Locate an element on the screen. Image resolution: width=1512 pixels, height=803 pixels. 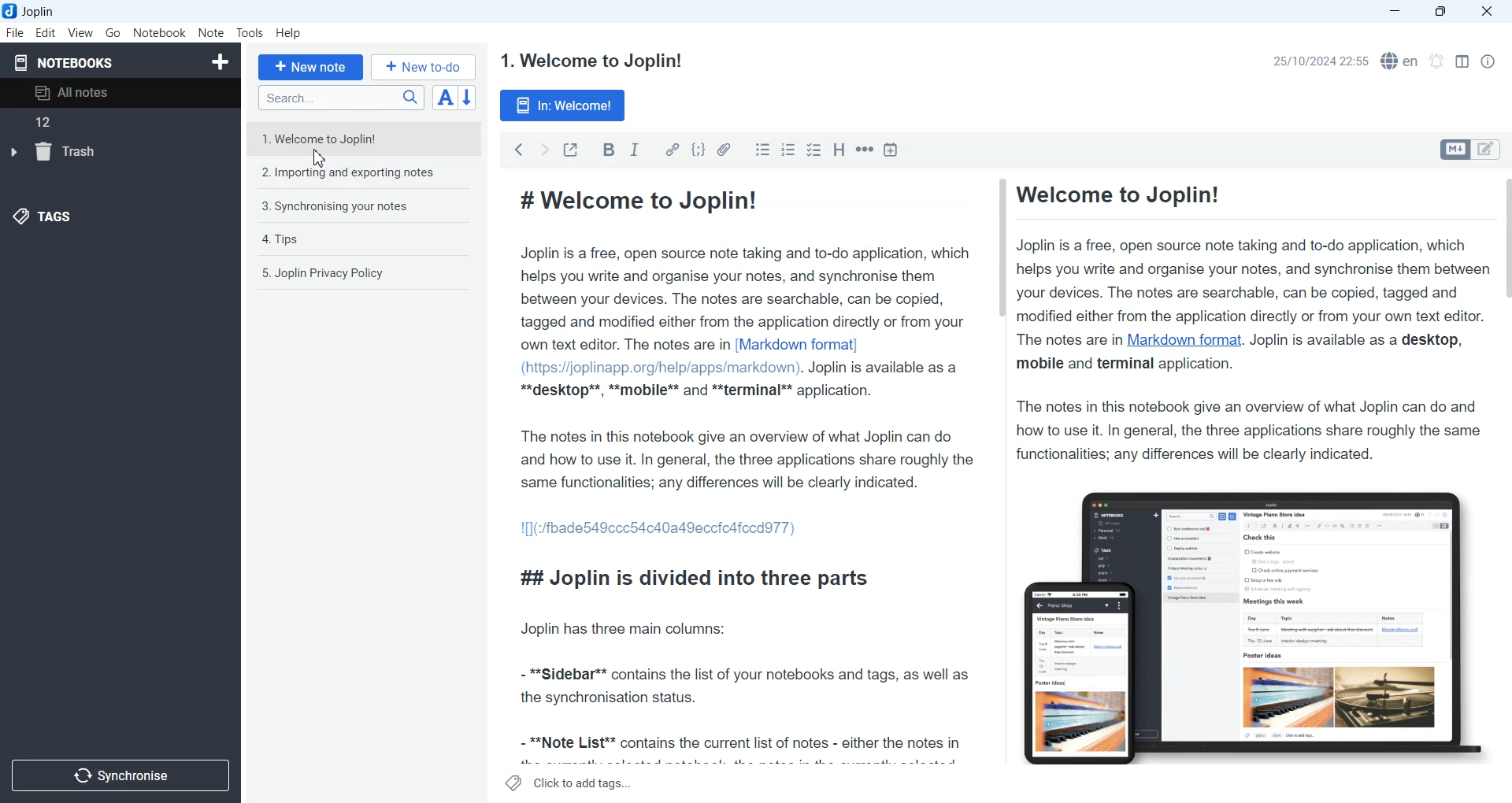
5. Joplin Privacy Policy is located at coordinates (324, 273).